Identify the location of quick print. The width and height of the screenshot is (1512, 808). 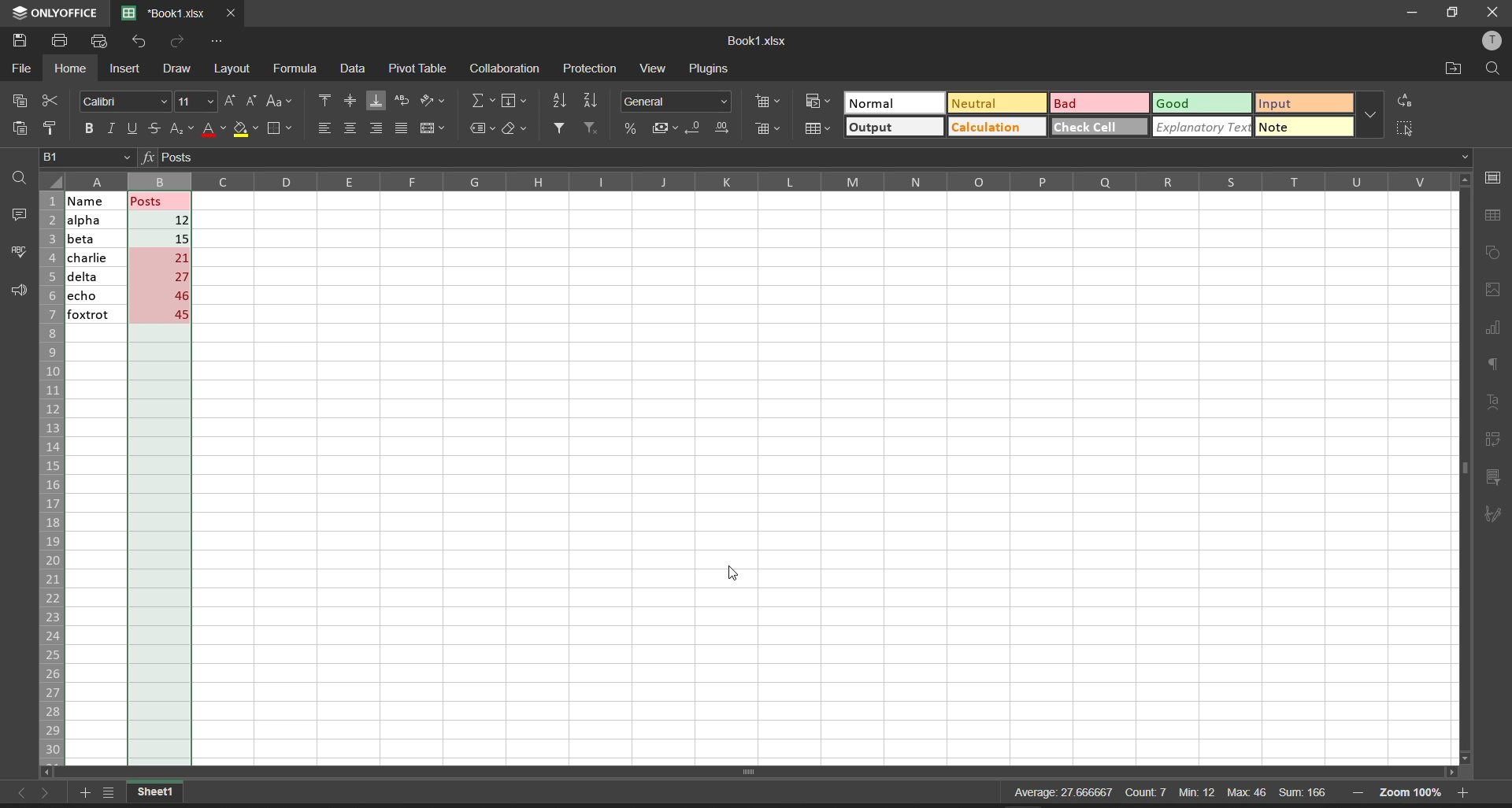
(99, 42).